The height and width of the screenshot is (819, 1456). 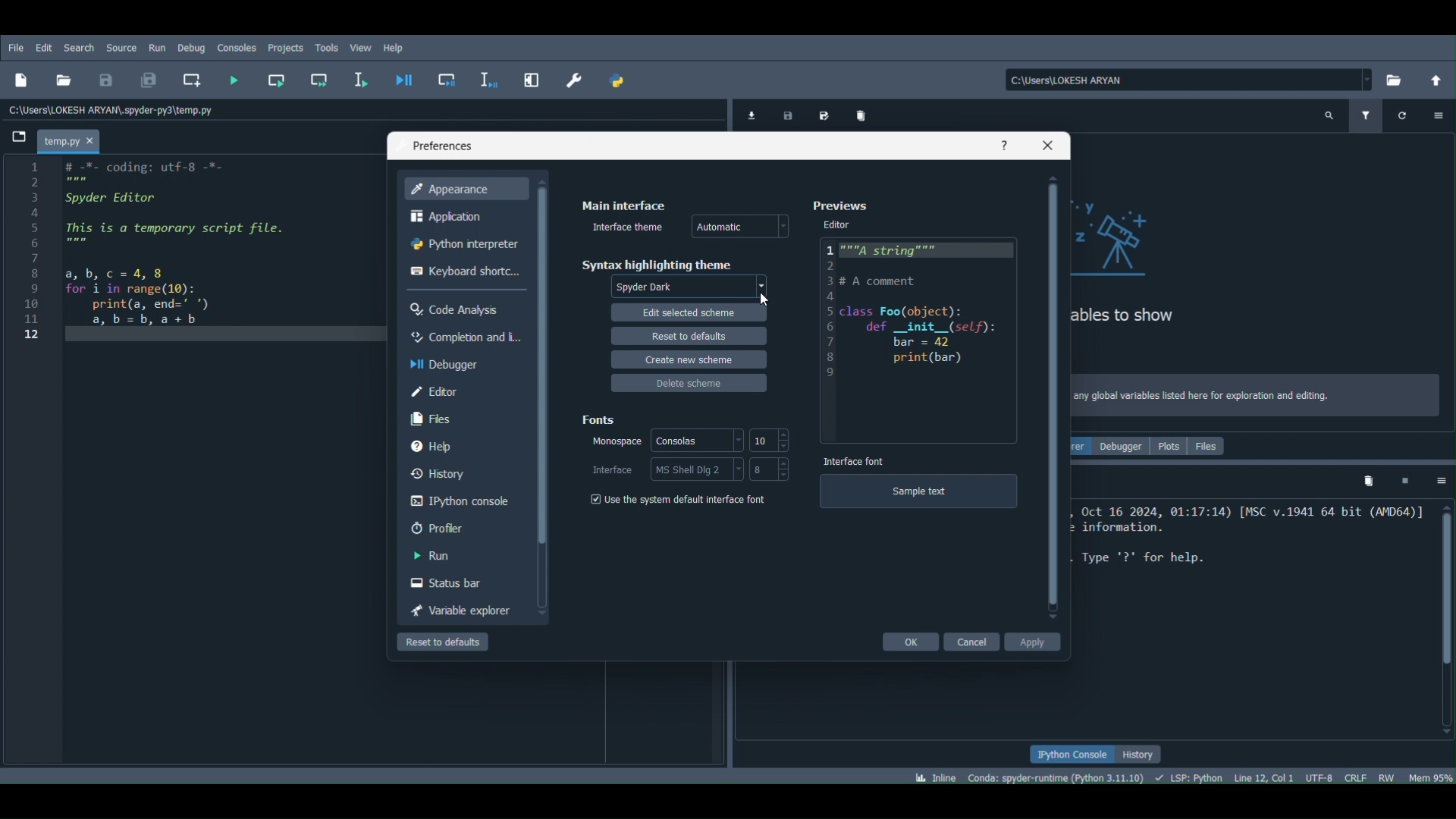 What do you see at coordinates (466, 552) in the screenshot?
I see `Run` at bounding box center [466, 552].